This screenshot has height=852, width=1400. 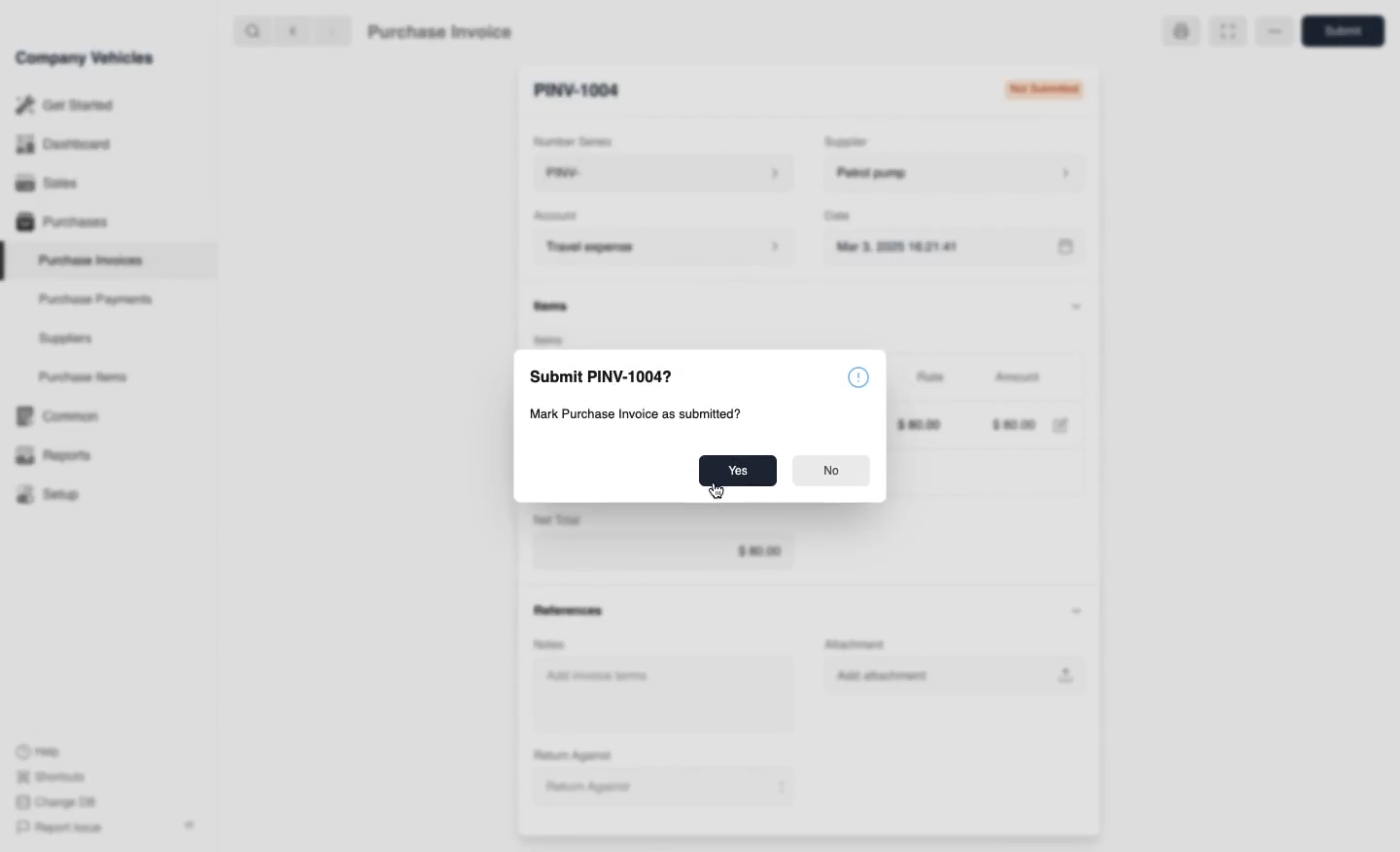 What do you see at coordinates (827, 471) in the screenshot?
I see `No` at bounding box center [827, 471].